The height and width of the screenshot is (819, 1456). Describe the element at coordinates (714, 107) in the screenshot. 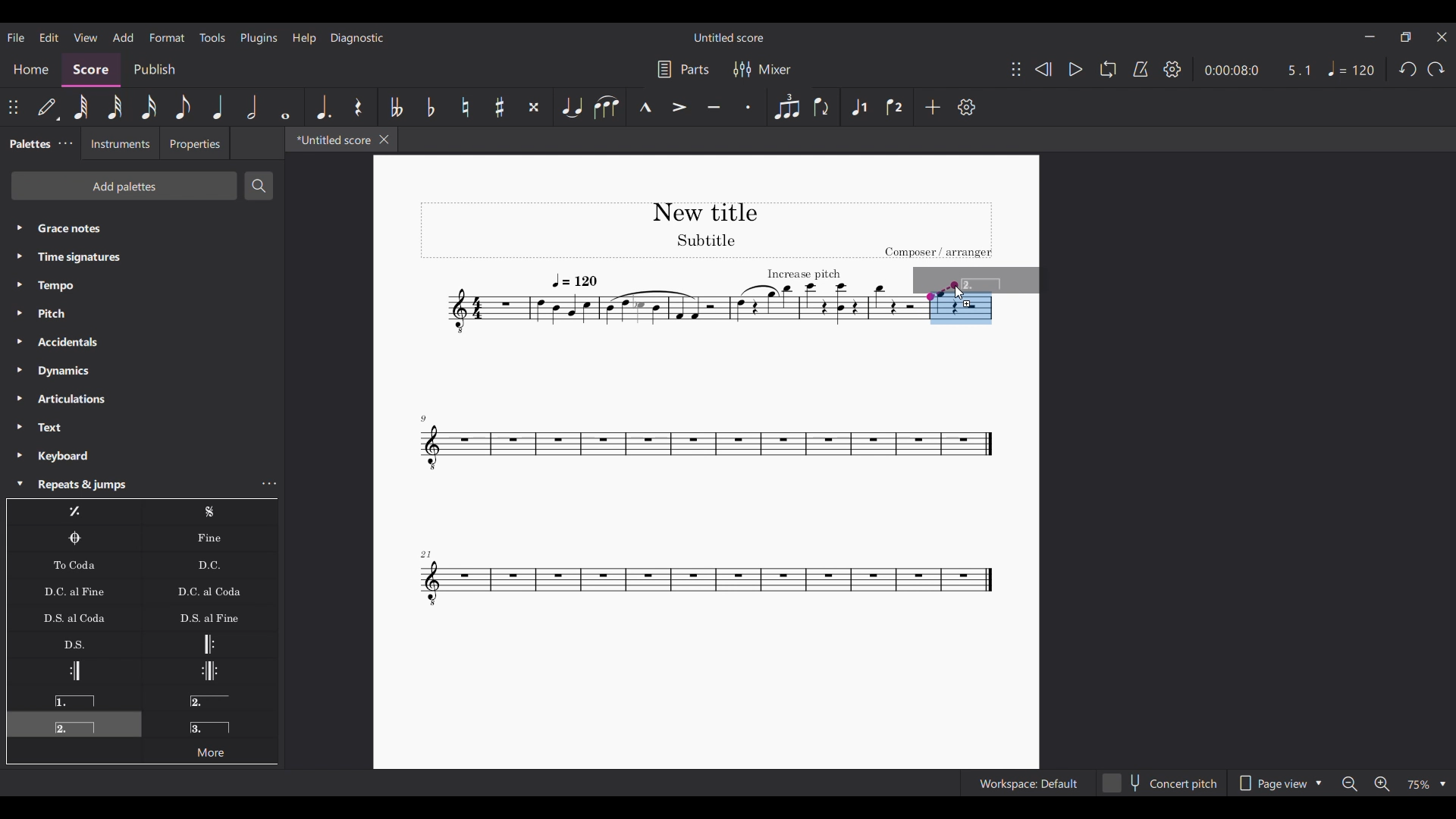

I see `Tenuto` at that location.